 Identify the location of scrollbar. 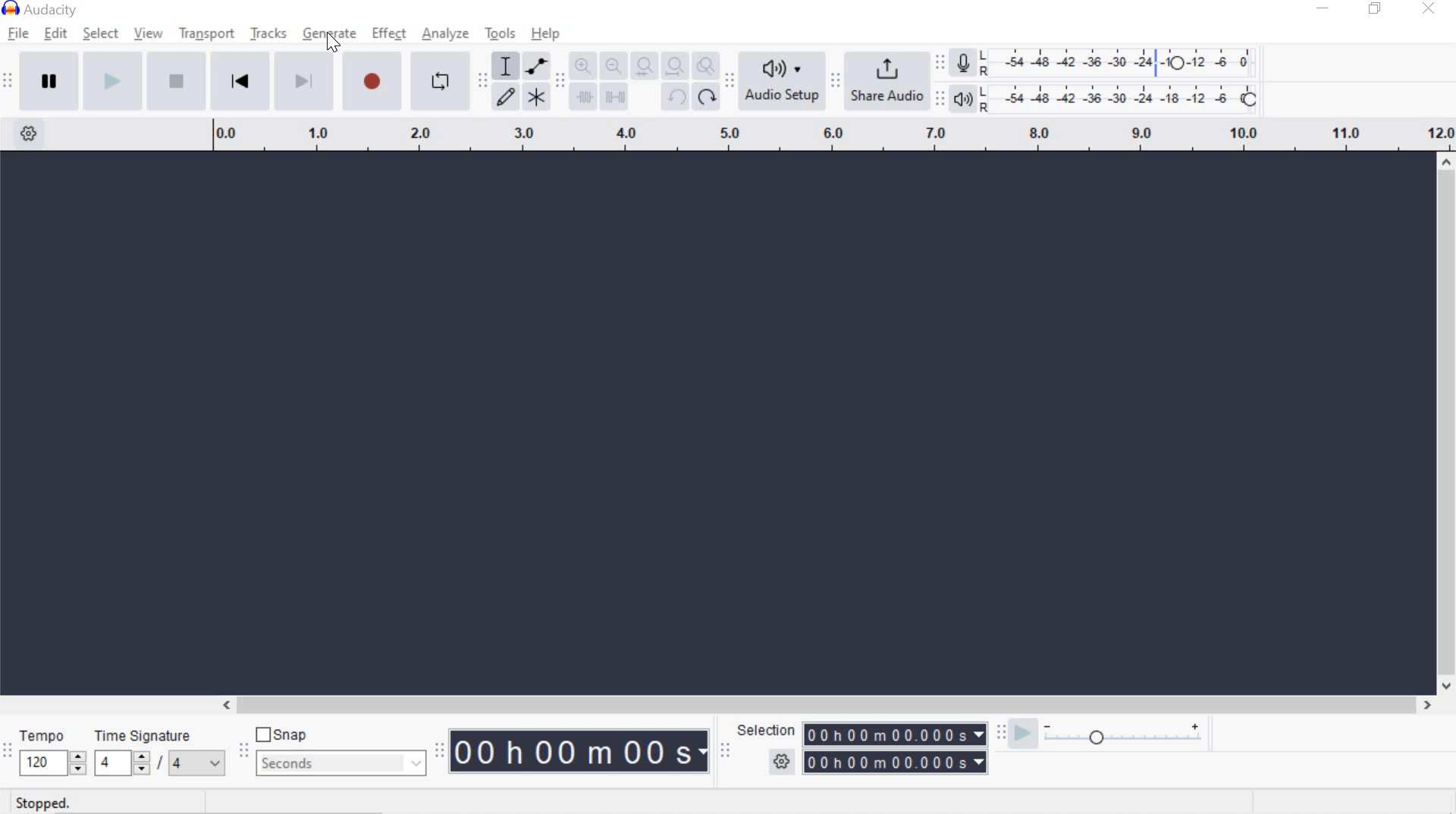
(824, 706).